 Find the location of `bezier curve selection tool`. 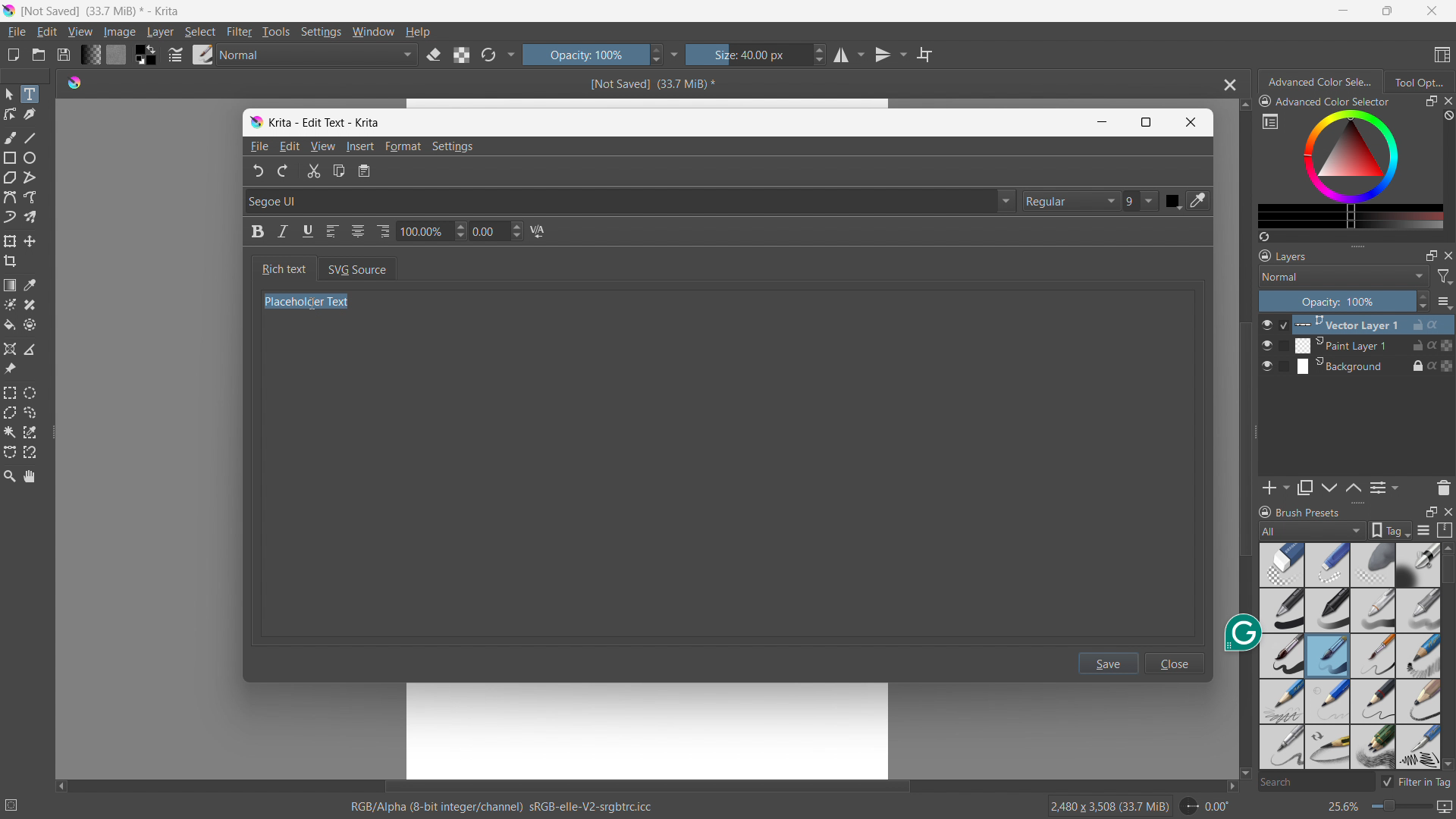

bezier curve selection tool is located at coordinates (10, 453).